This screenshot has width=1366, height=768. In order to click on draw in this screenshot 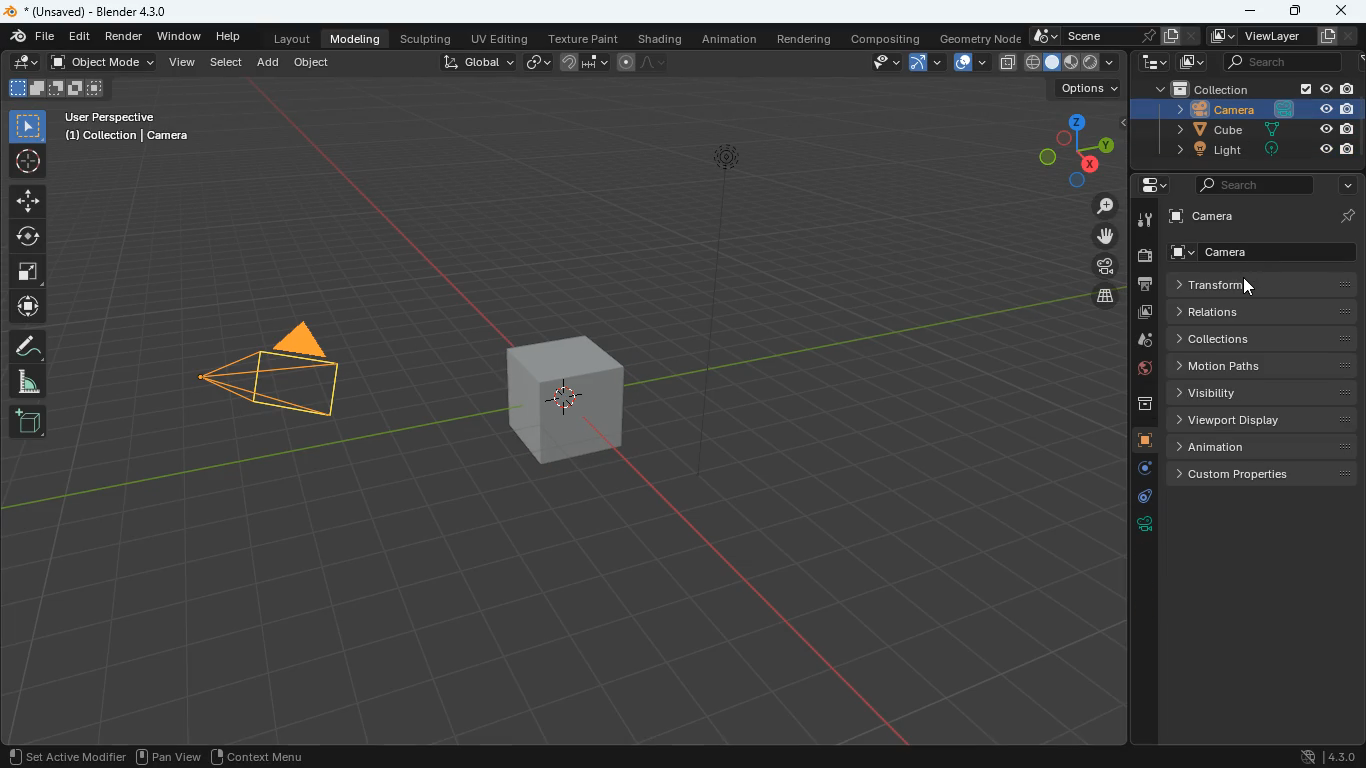, I will do `click(27, 344)`.